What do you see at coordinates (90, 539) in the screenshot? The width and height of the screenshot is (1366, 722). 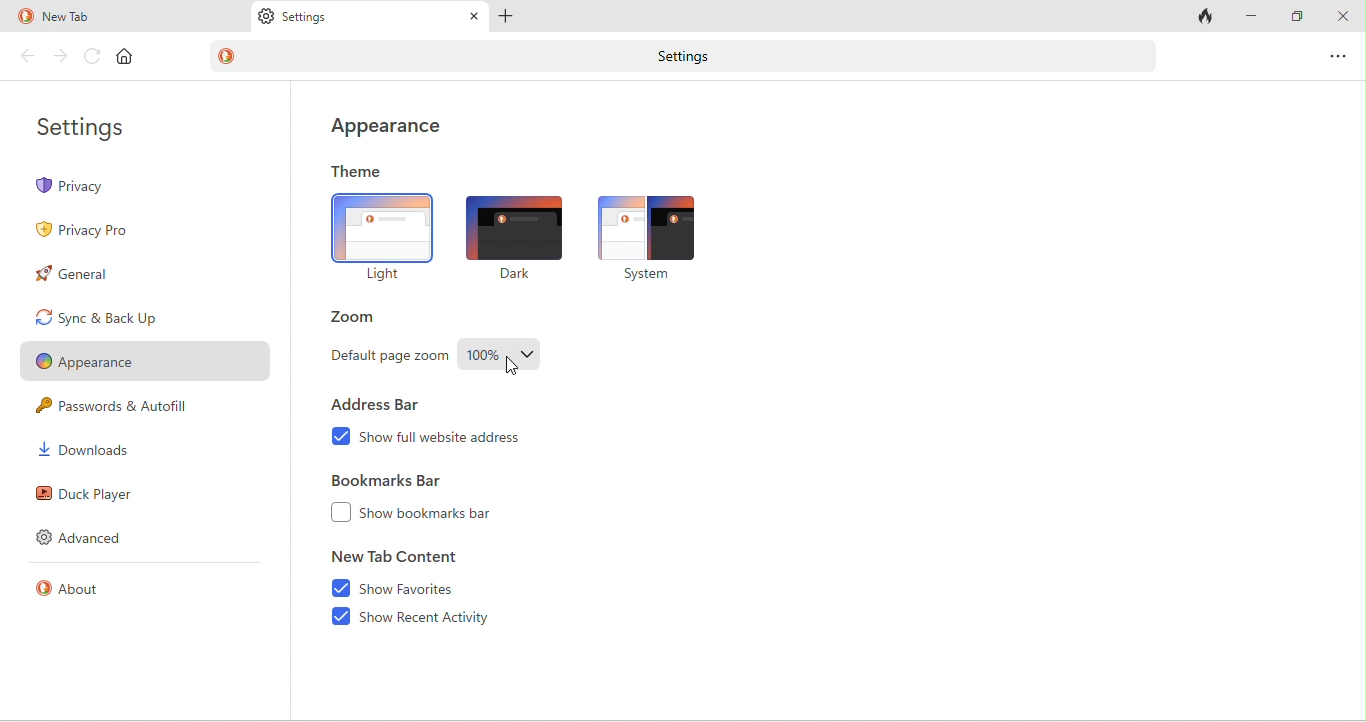 I see `advanced` at bounding box center [90, 539].